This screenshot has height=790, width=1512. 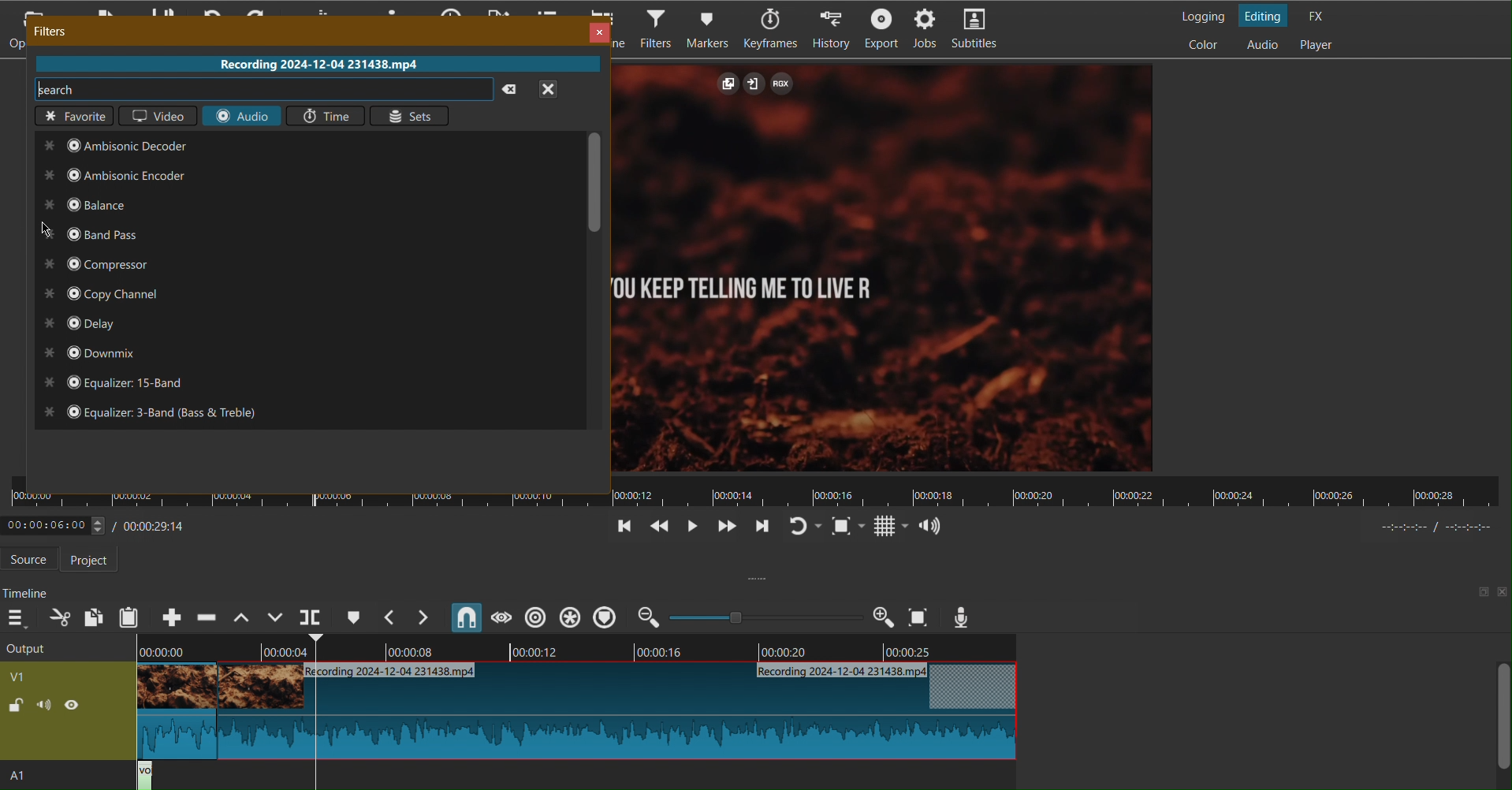 What do you see at coordinates (919, 617) in the screenshot?
I see `Zoom Fit` at bounding box center [919, 617].